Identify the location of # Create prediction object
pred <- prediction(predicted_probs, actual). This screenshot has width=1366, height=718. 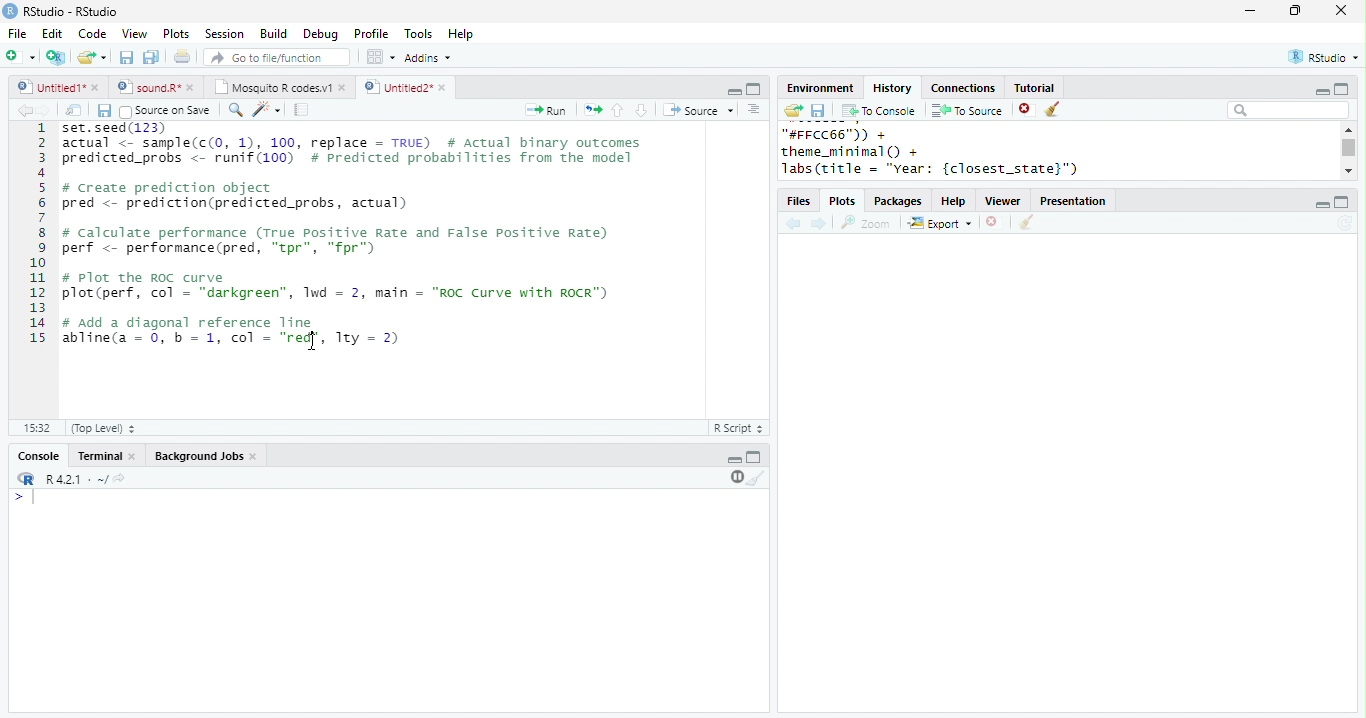
(236, 196).